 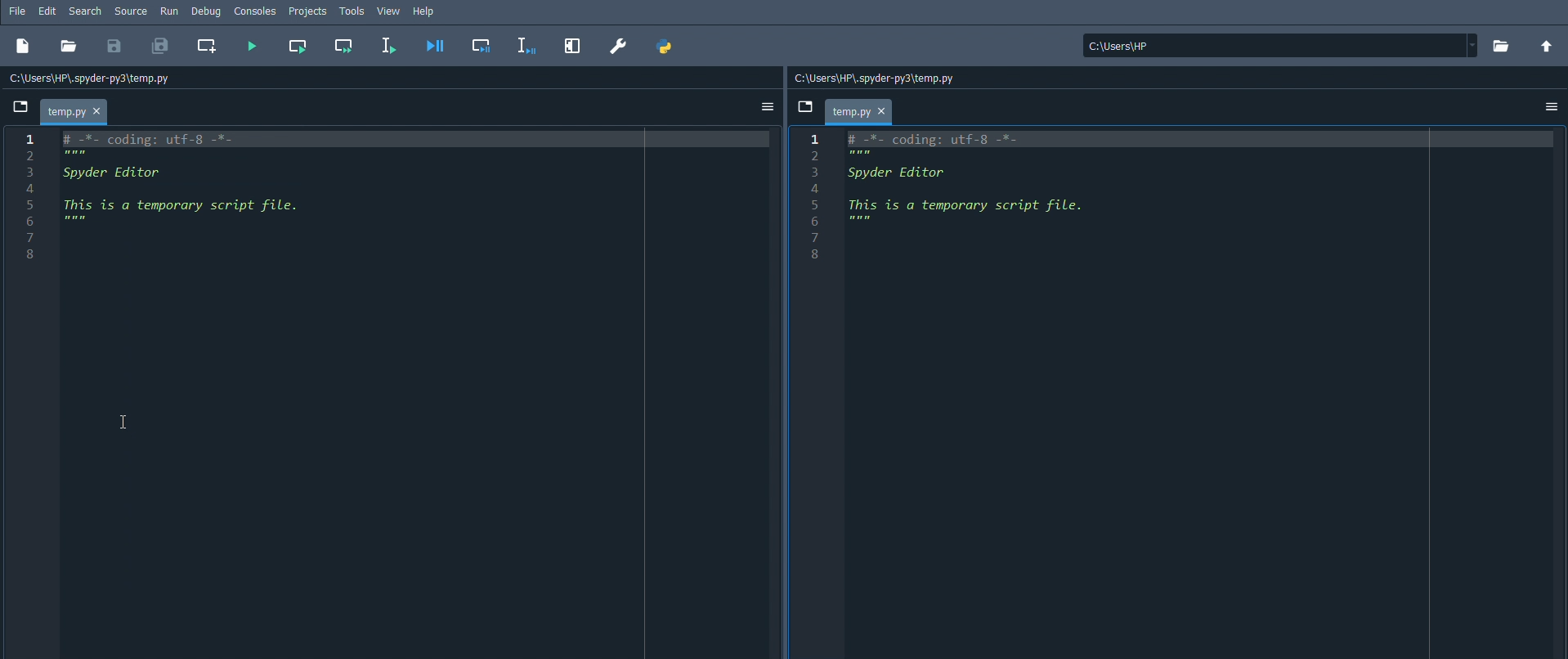 I want to click on Spyder Editor This is a temporary script file, so click(x=979, y=185).